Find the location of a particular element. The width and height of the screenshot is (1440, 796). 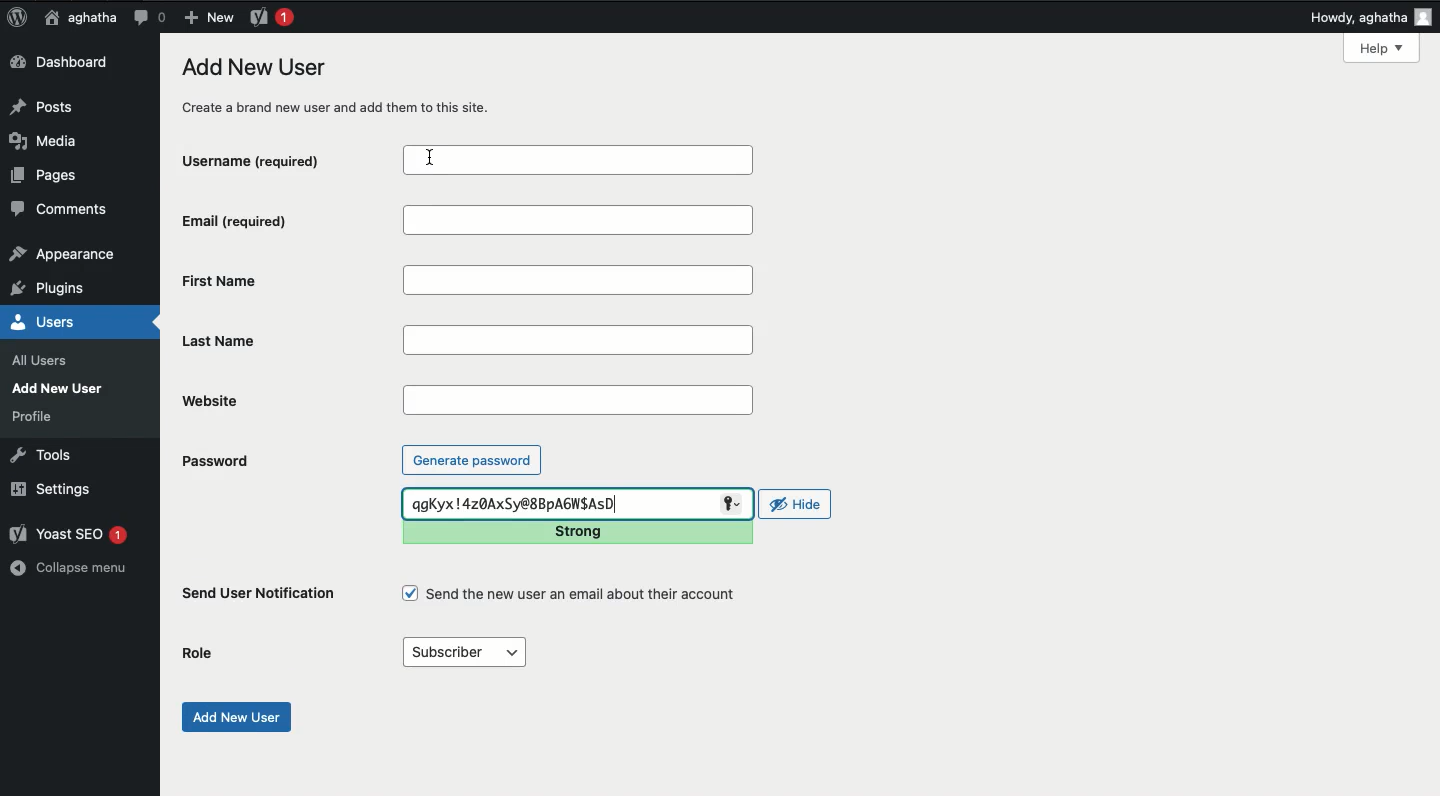

Media is located at coordinates (50, 141).